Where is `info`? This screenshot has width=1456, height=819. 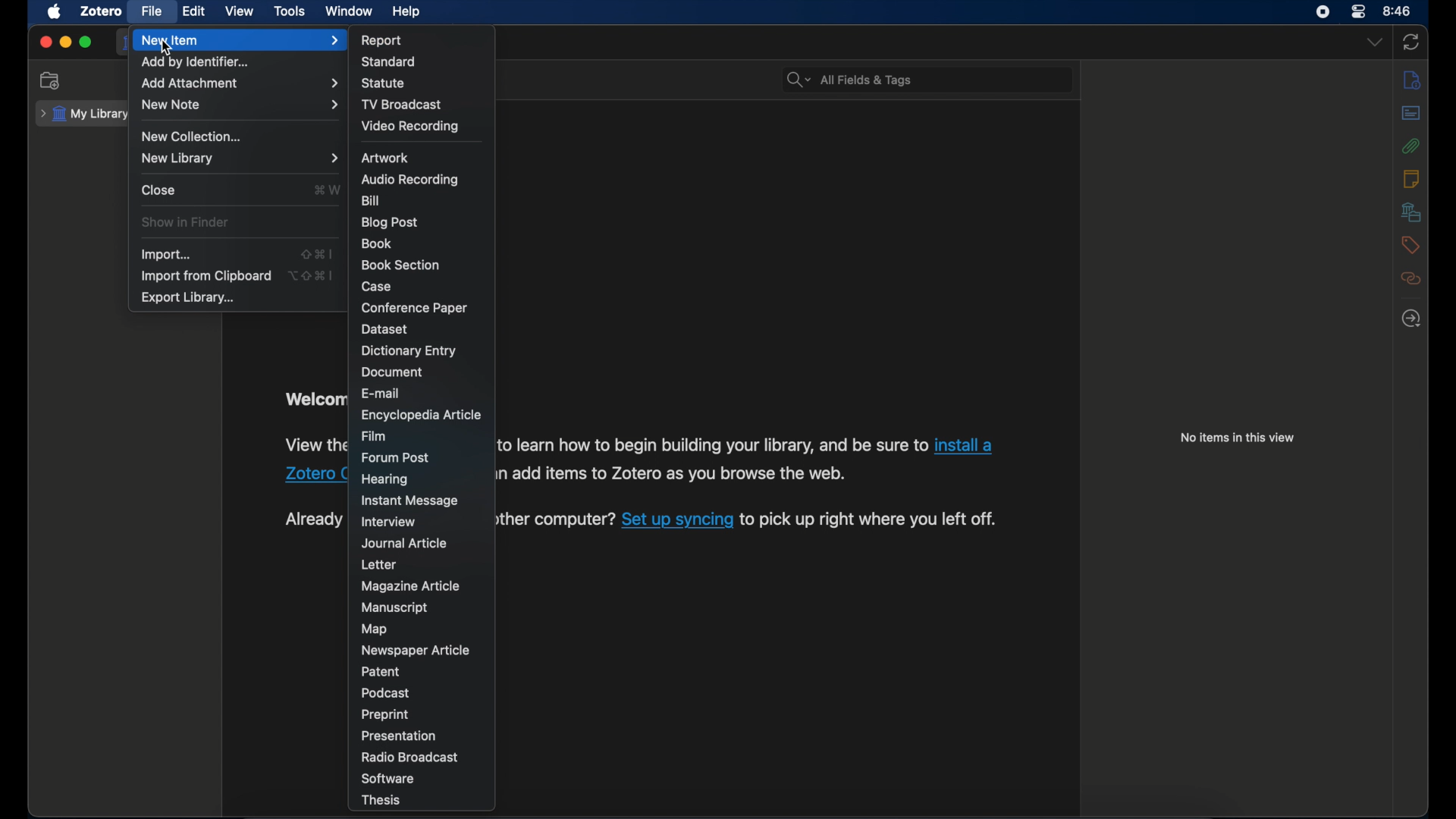 info is located at coordinates (1412, 79).